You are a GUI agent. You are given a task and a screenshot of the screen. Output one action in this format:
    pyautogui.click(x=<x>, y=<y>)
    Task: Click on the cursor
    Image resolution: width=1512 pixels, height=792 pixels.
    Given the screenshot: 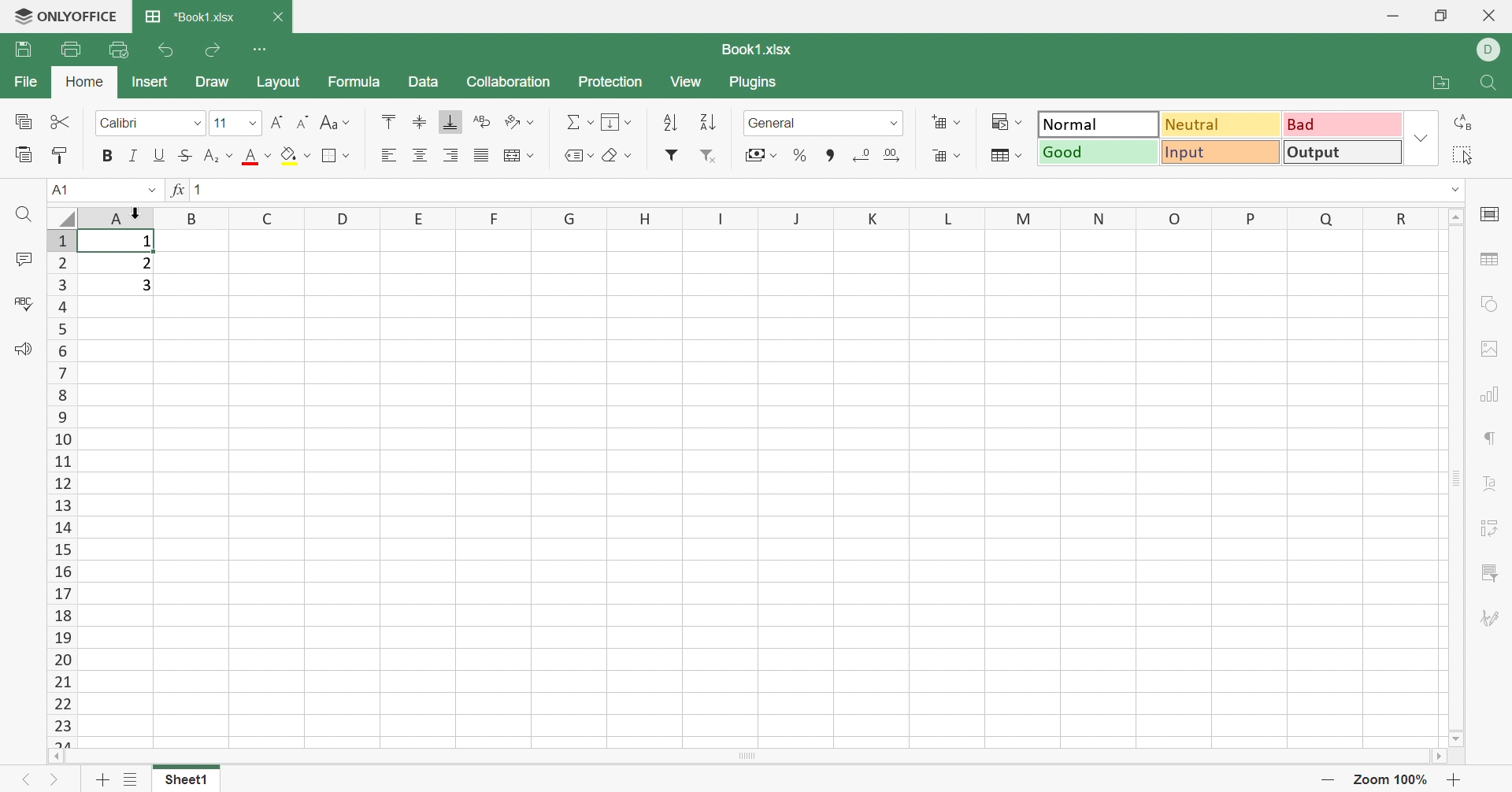 What is the action you would take?
    pyautogui.click(x=133, y=215)
    